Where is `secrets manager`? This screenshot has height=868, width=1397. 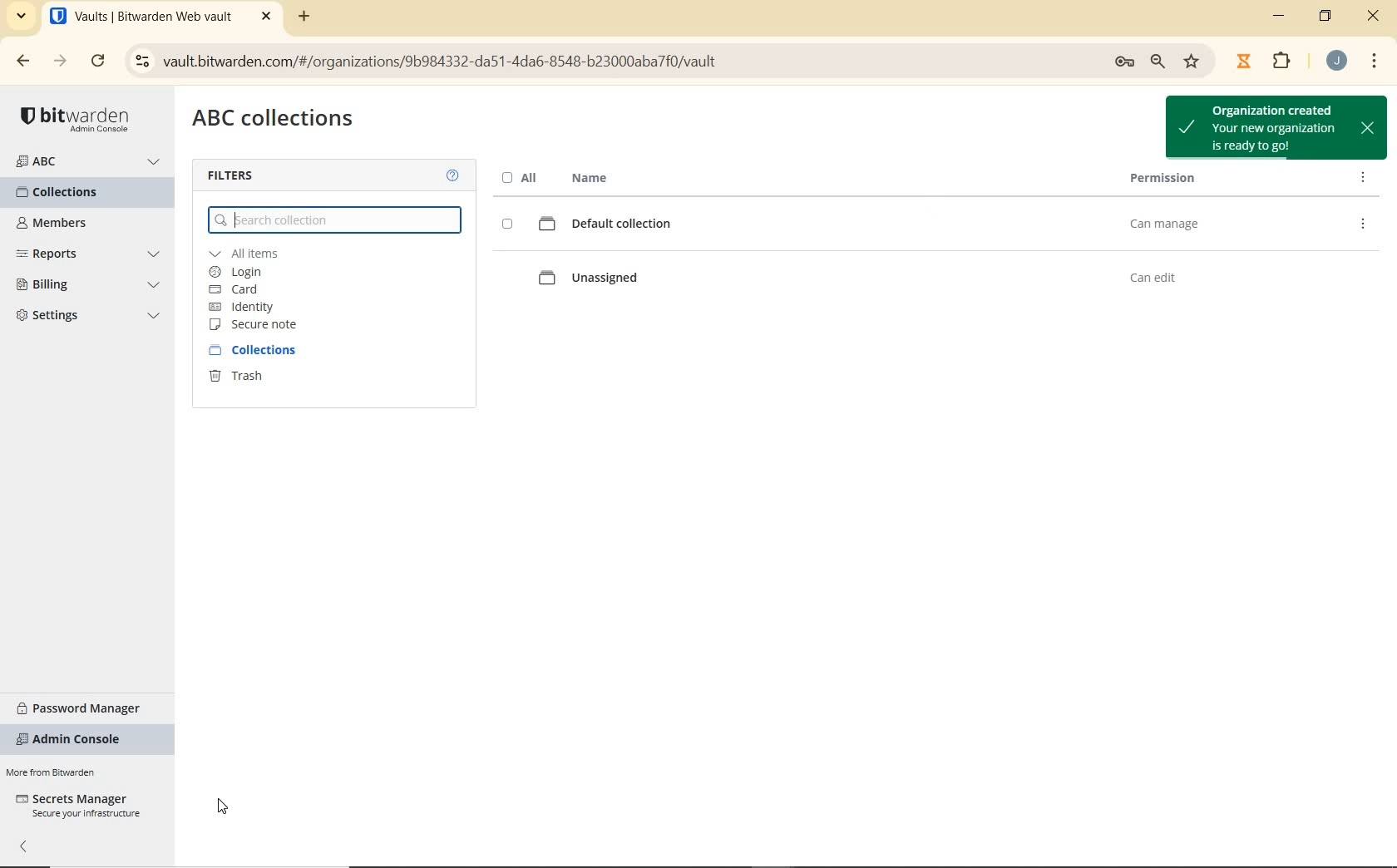
secrets manager is located at coordinates (78, 803).